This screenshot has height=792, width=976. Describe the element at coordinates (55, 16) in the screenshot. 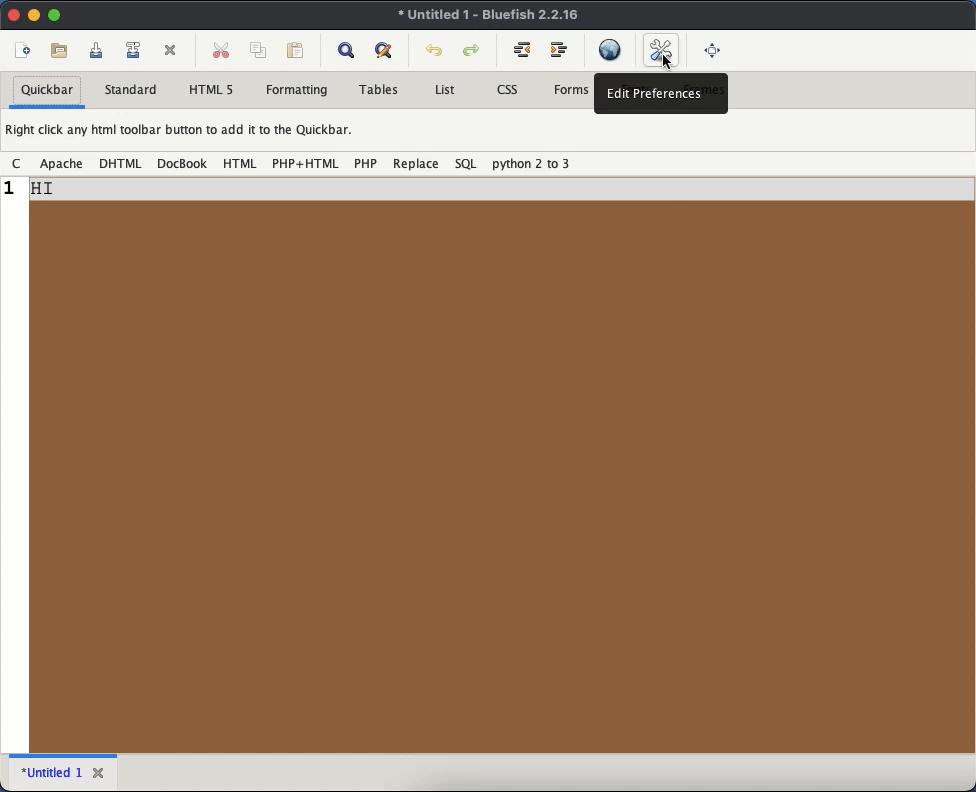

I see `maximize` at that location.